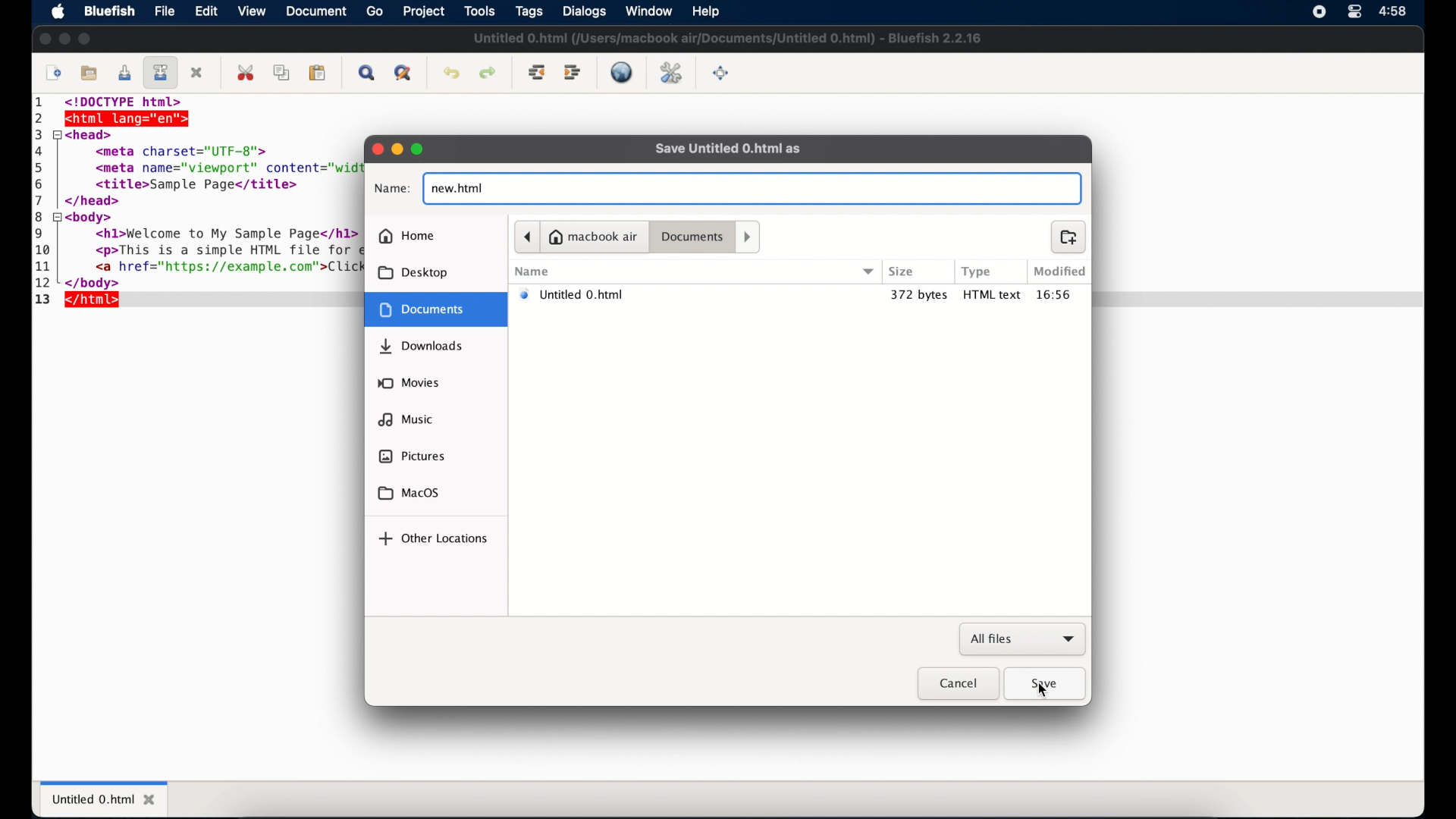 This screenshot has width=1456, height=819. Describe the element at coordinates (162, 72) in the screenshot. I see `save file as` at that location.